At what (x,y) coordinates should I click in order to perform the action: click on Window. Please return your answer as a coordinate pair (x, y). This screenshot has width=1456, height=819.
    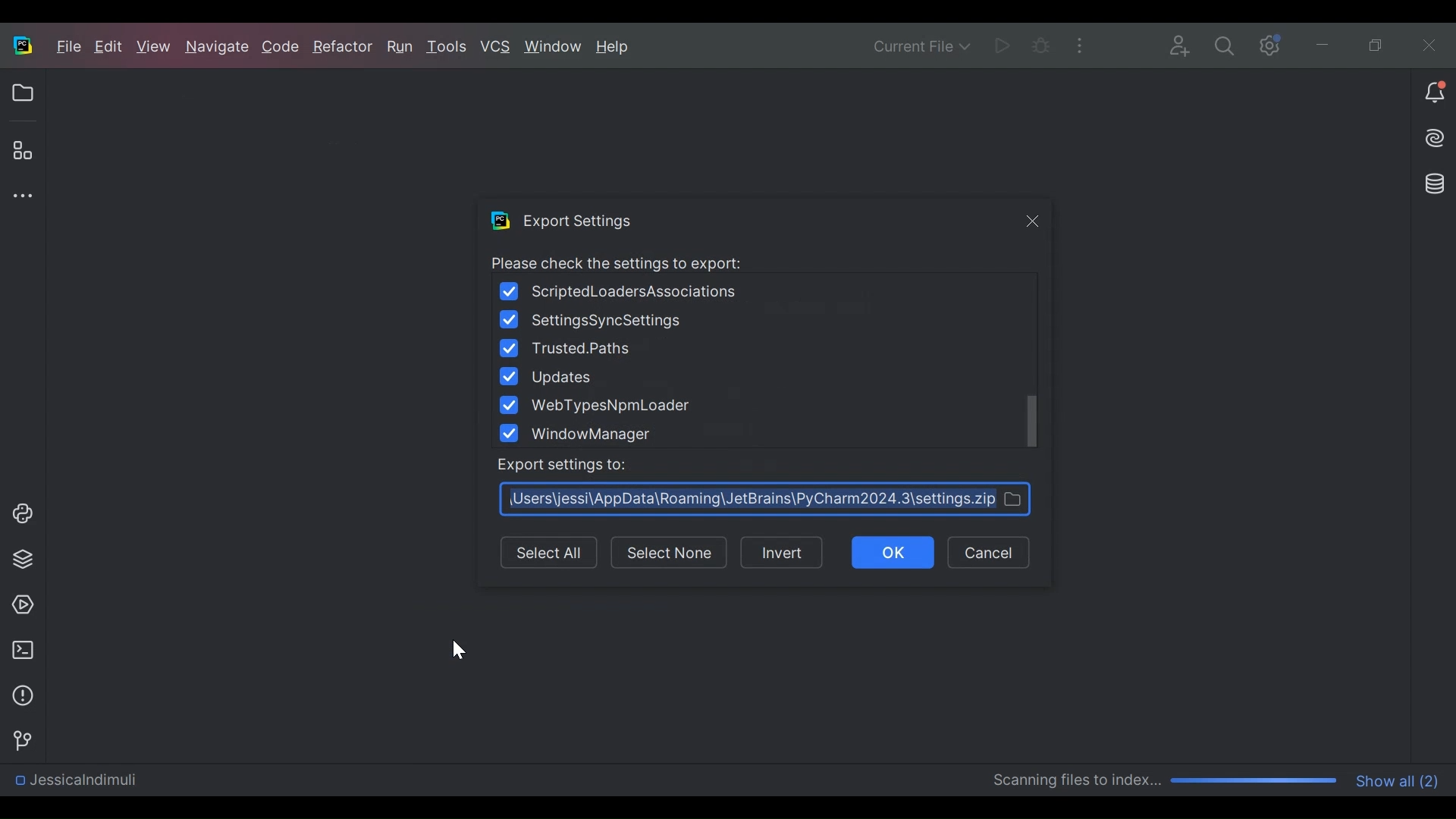
    Looking at the image, I should click on (554, 46).